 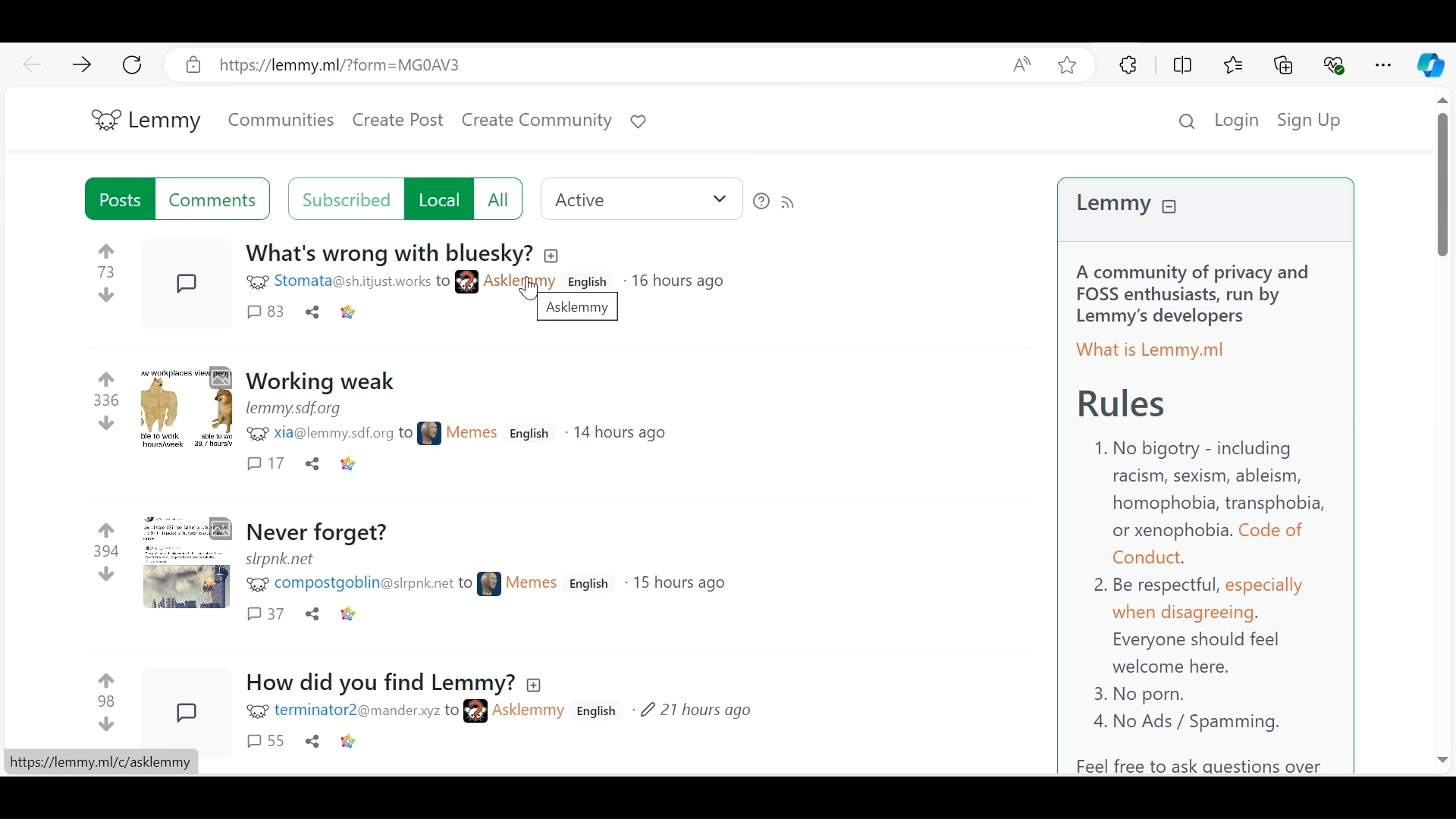 What do you see at coordinates (639, 121) in the screenshot?
I see `Support lemmy` at bounding box center [639, 121].